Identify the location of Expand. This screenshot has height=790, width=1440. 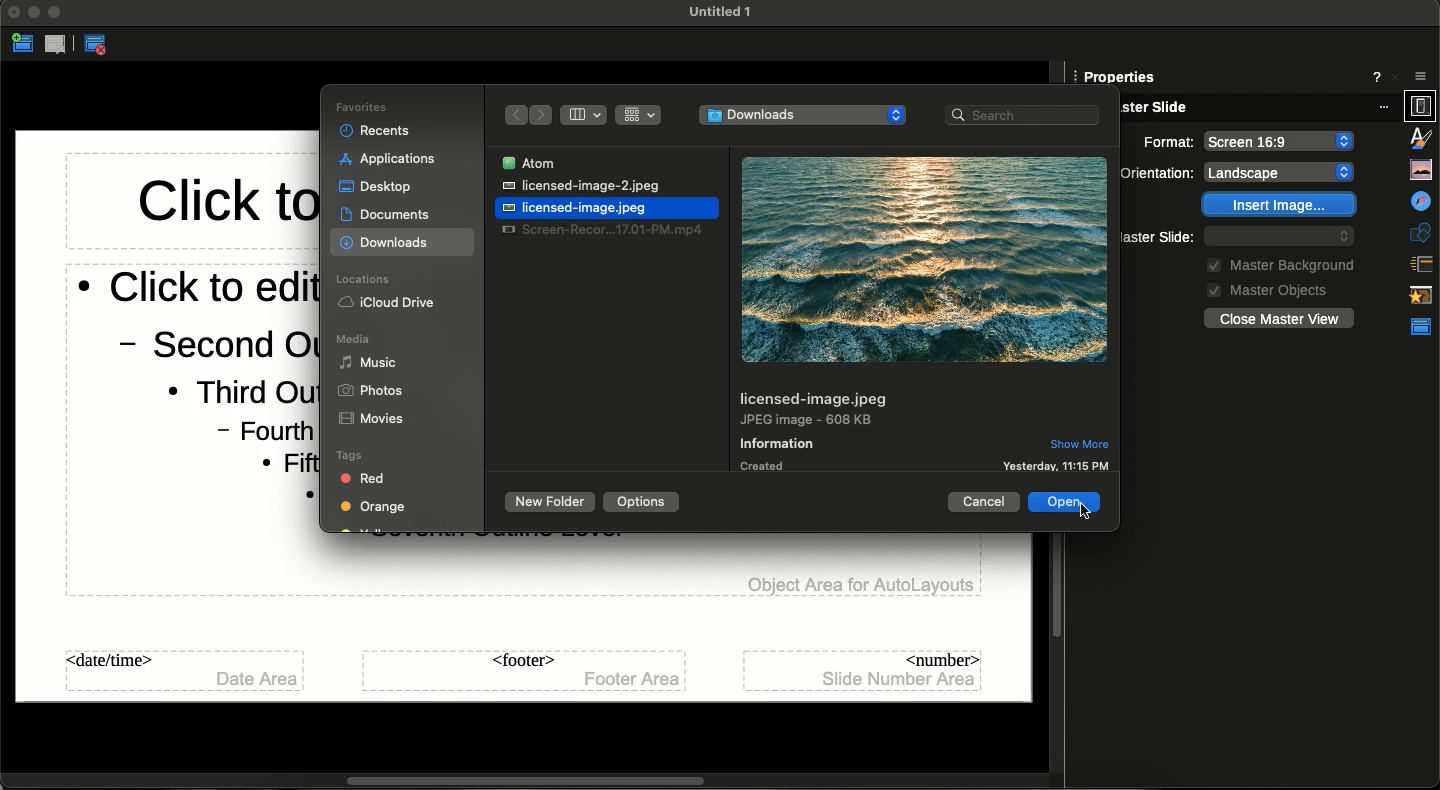
(55, 12).